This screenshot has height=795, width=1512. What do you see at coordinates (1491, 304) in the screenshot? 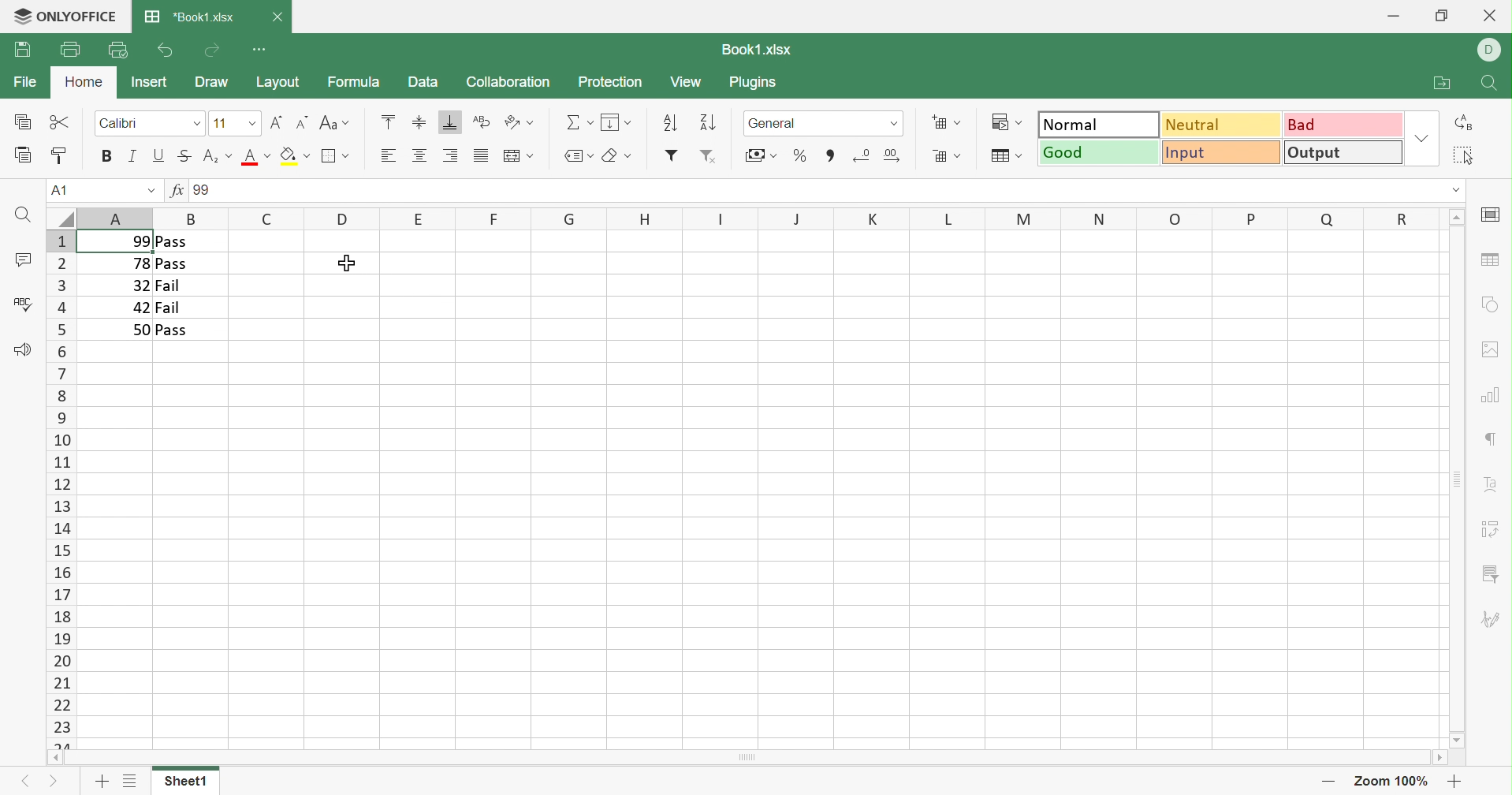
I see `Shape settings` at bounding box center [1491, 304].